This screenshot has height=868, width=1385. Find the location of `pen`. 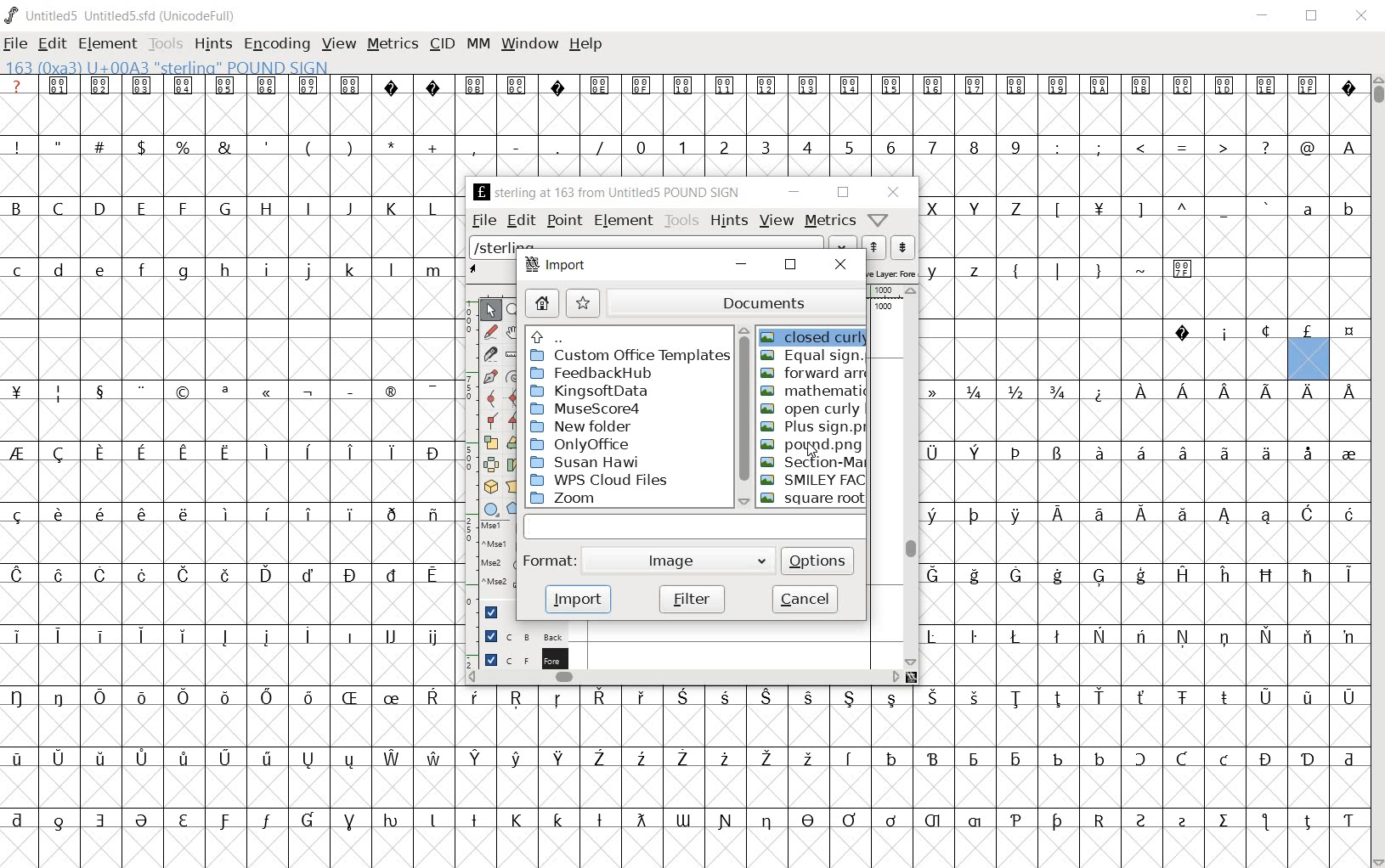

pen is located at coordinates (491, 379).